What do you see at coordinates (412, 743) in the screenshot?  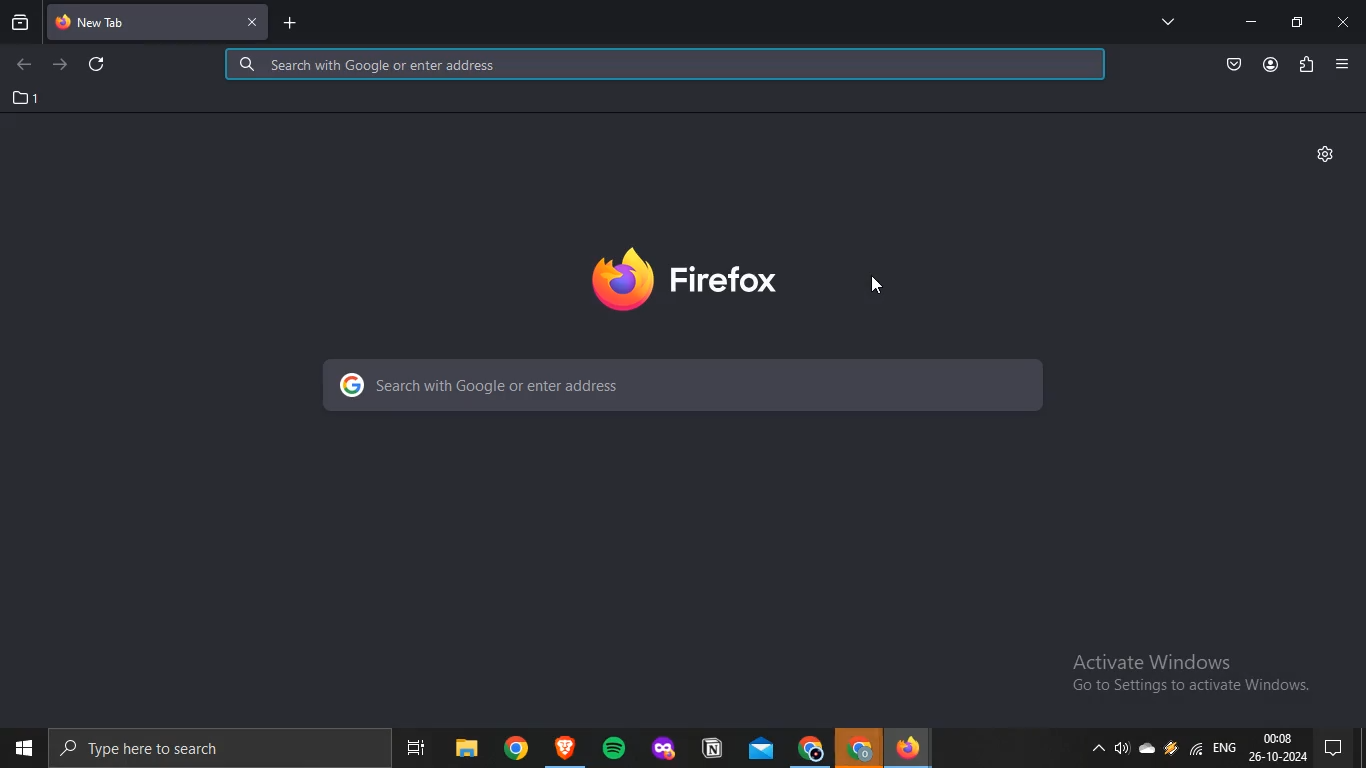 I see `` at bounding box center [412, 743].